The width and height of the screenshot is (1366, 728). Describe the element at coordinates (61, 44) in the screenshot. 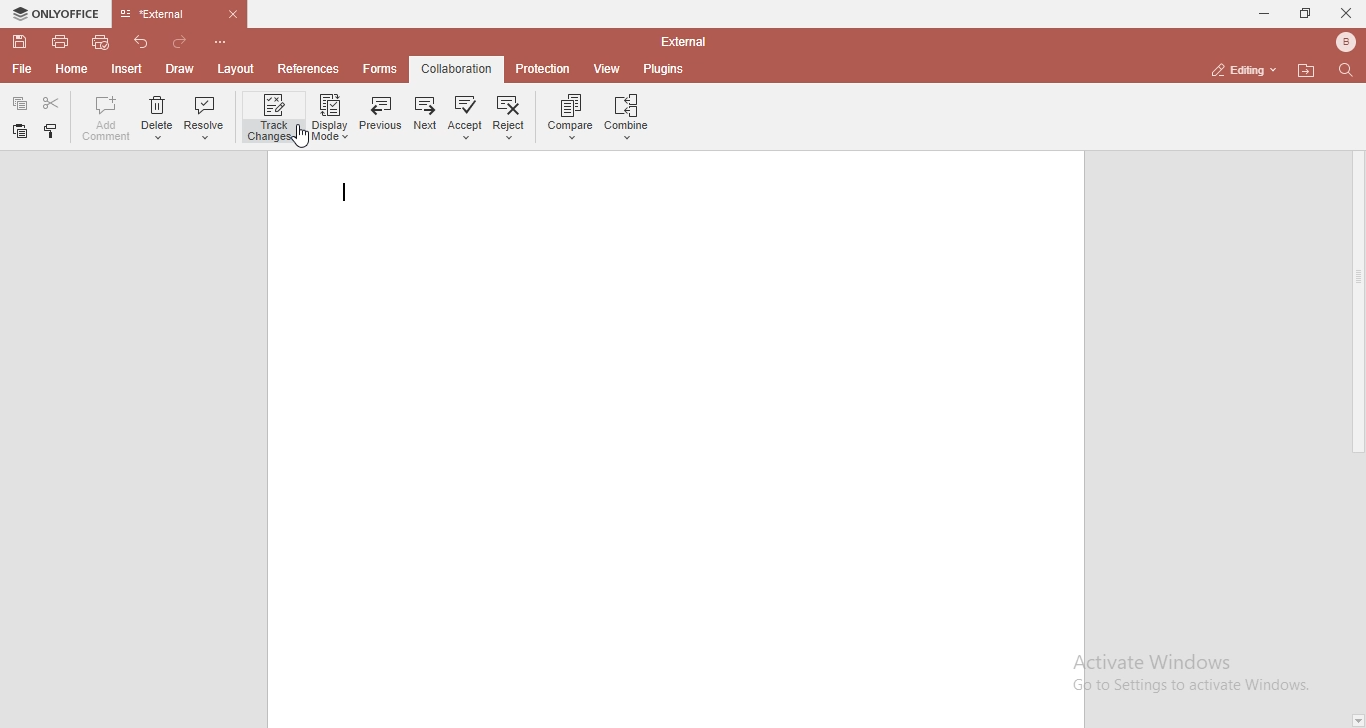

I see `print` at that location.